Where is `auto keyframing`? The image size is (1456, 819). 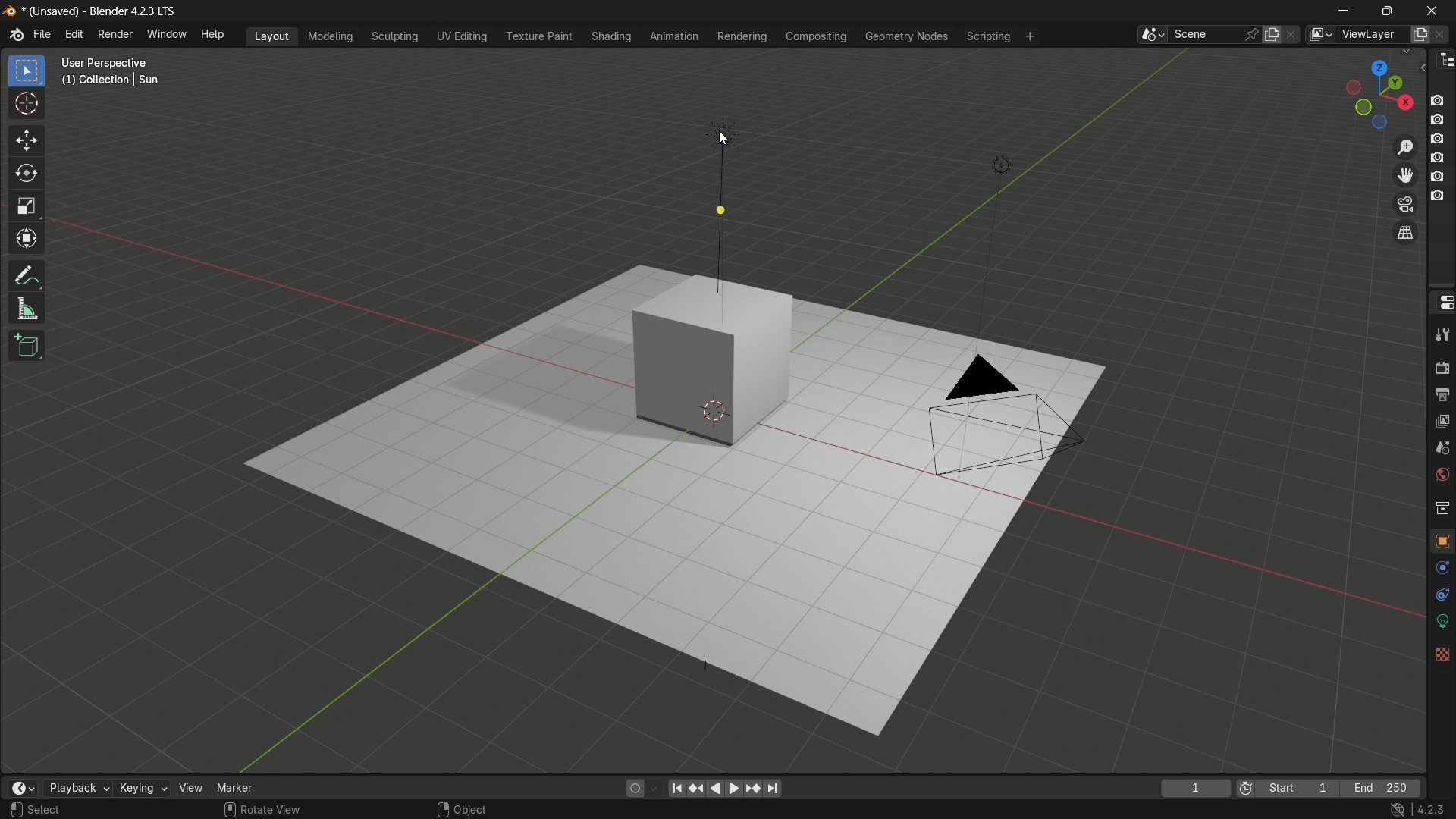 auto keyframing is located at coordinates (654, 789).